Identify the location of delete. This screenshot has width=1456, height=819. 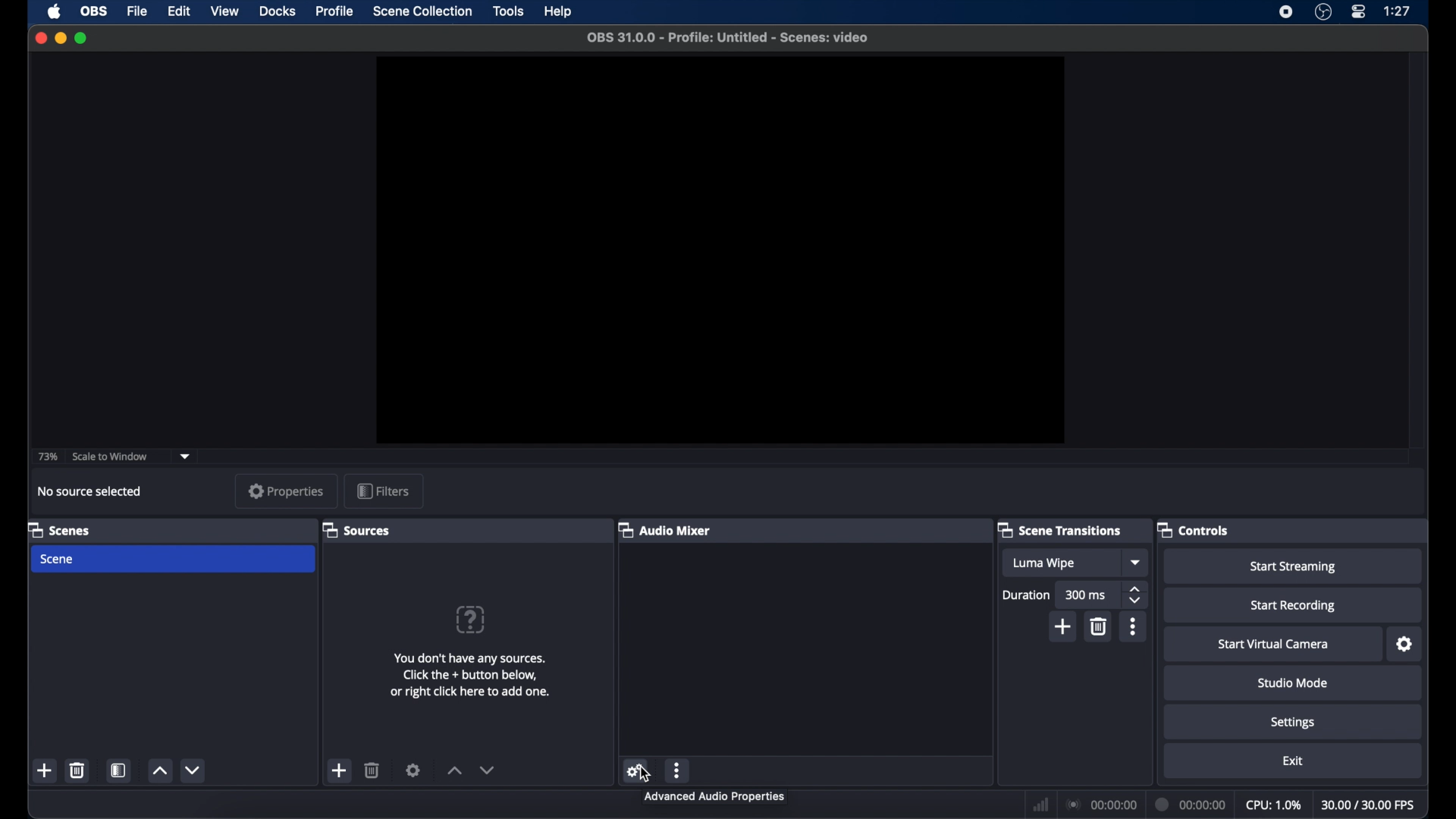
(78, 770).